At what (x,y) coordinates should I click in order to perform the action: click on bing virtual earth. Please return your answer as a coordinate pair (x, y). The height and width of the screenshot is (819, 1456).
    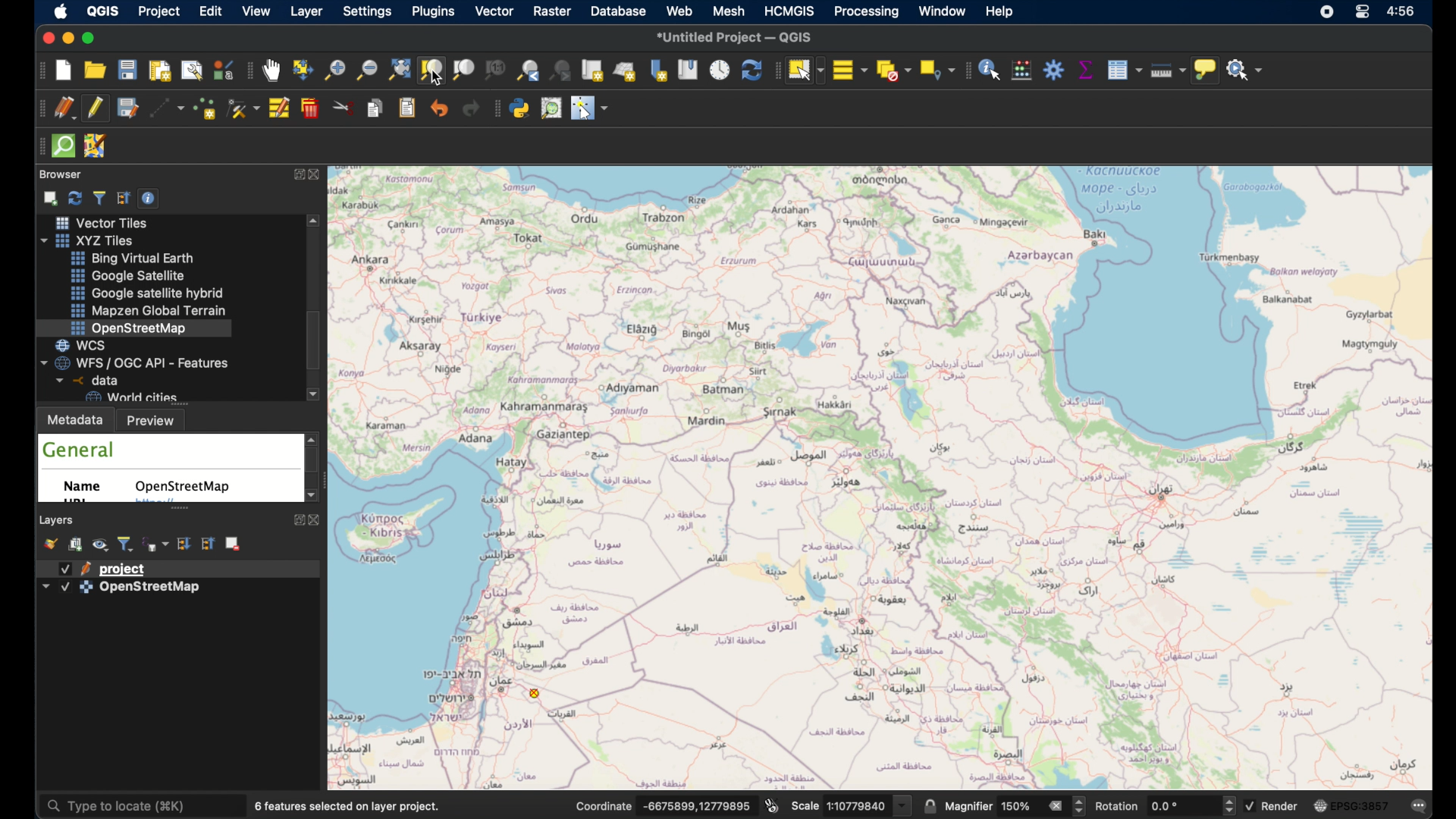
    Looking at the image, I should click on (136, 259).